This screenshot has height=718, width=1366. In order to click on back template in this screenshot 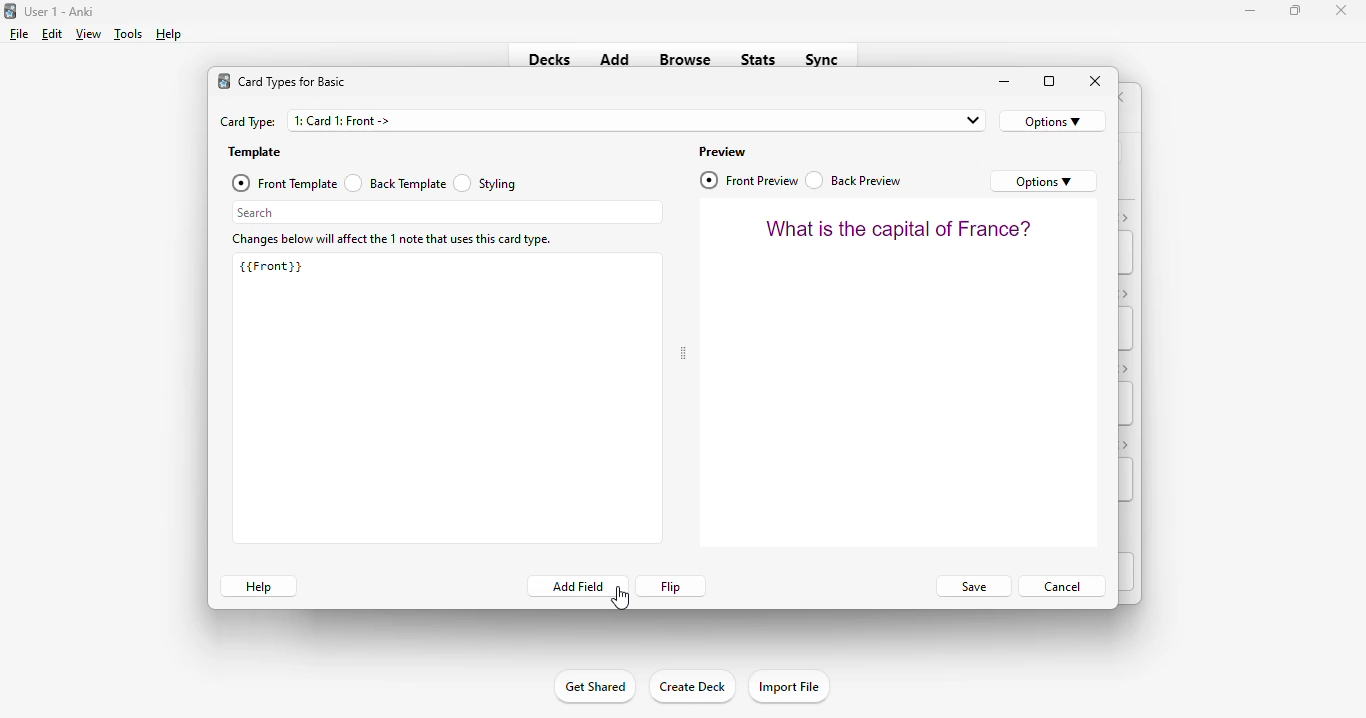, I will do `click(395, 183)`.